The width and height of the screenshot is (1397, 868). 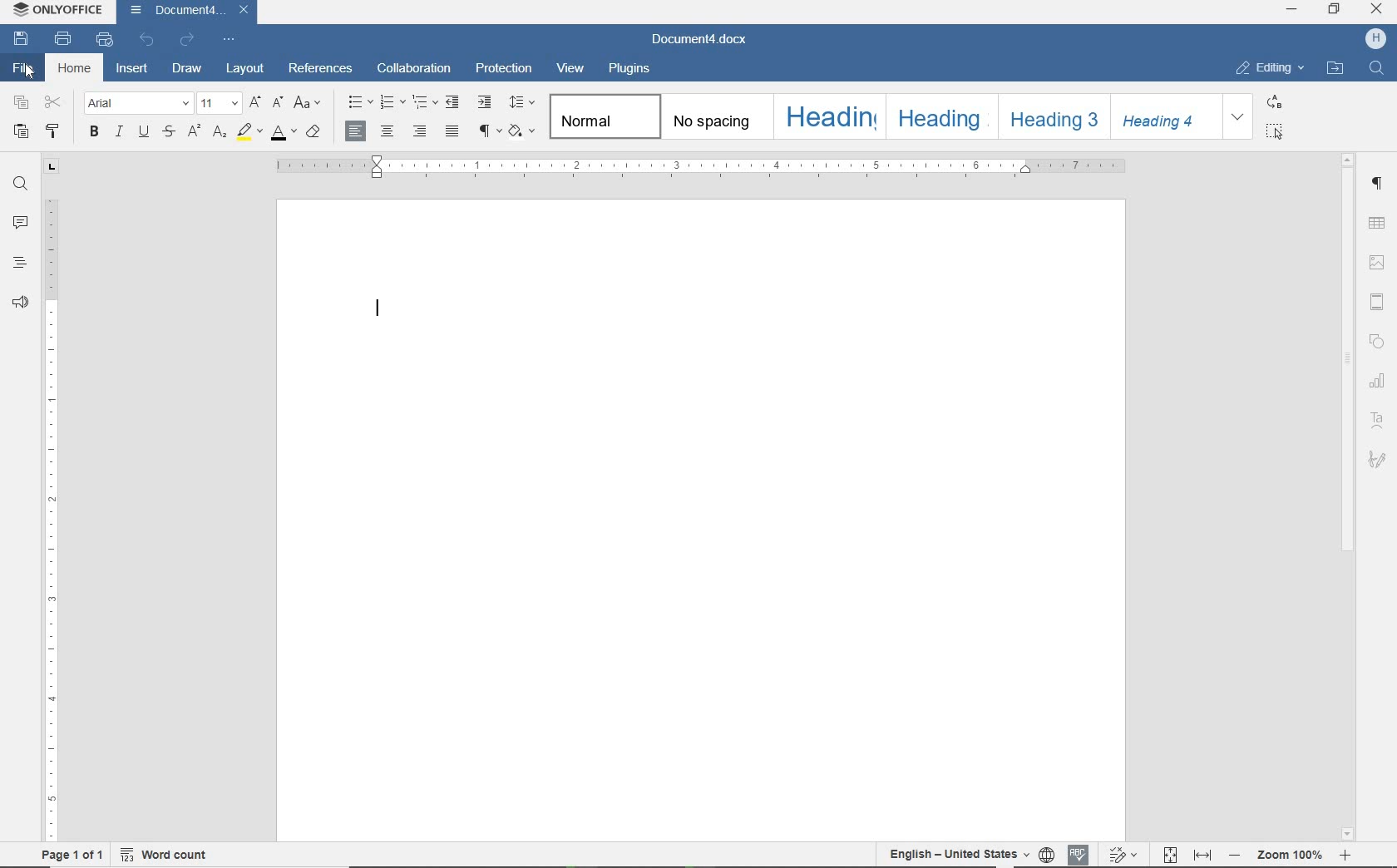 I want to click on track changes, so click(x=1124, y=854).